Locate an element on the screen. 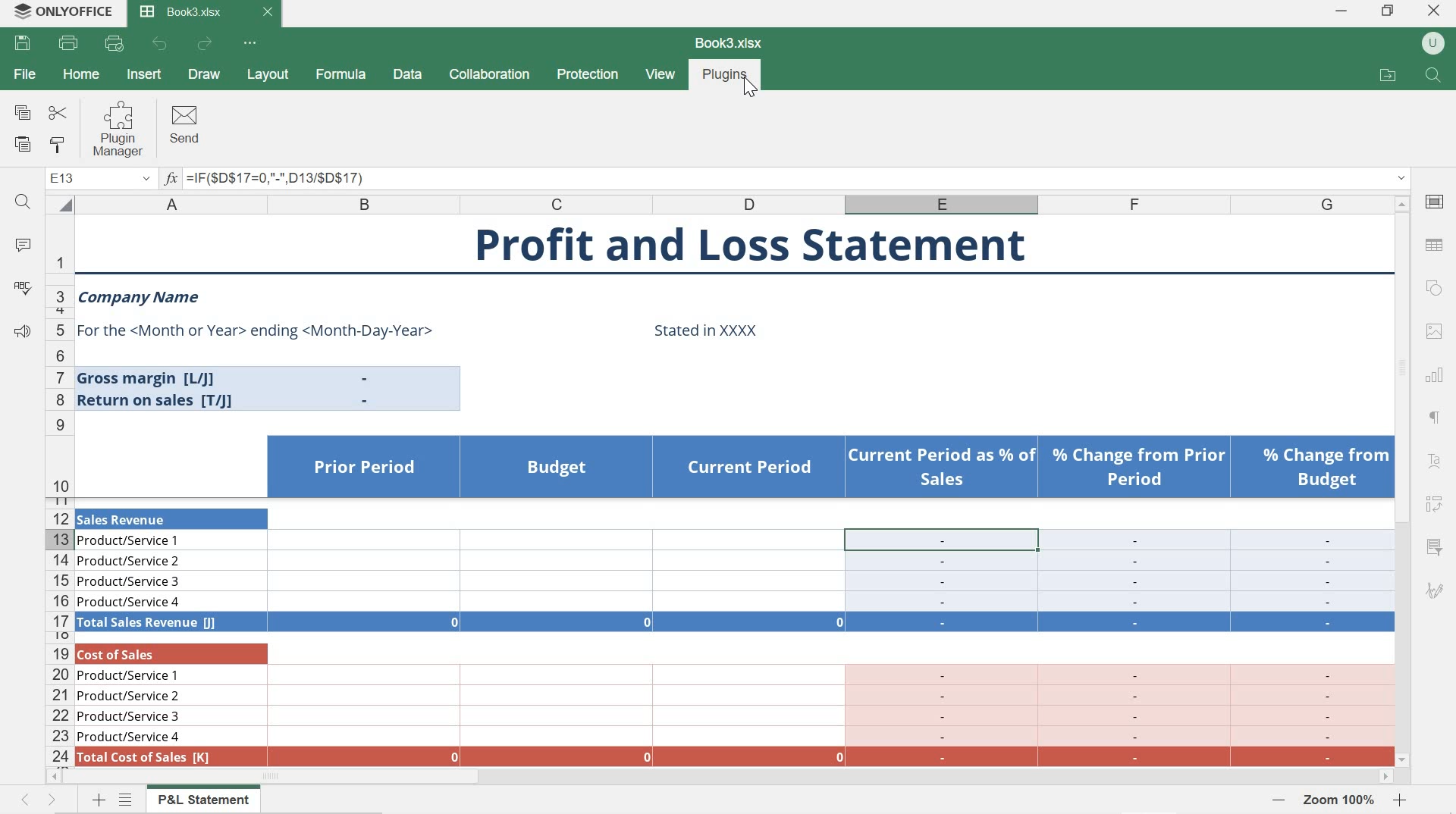 The width and height of the screenshot is (1456, 814). send is located at coordinates (186, 125).